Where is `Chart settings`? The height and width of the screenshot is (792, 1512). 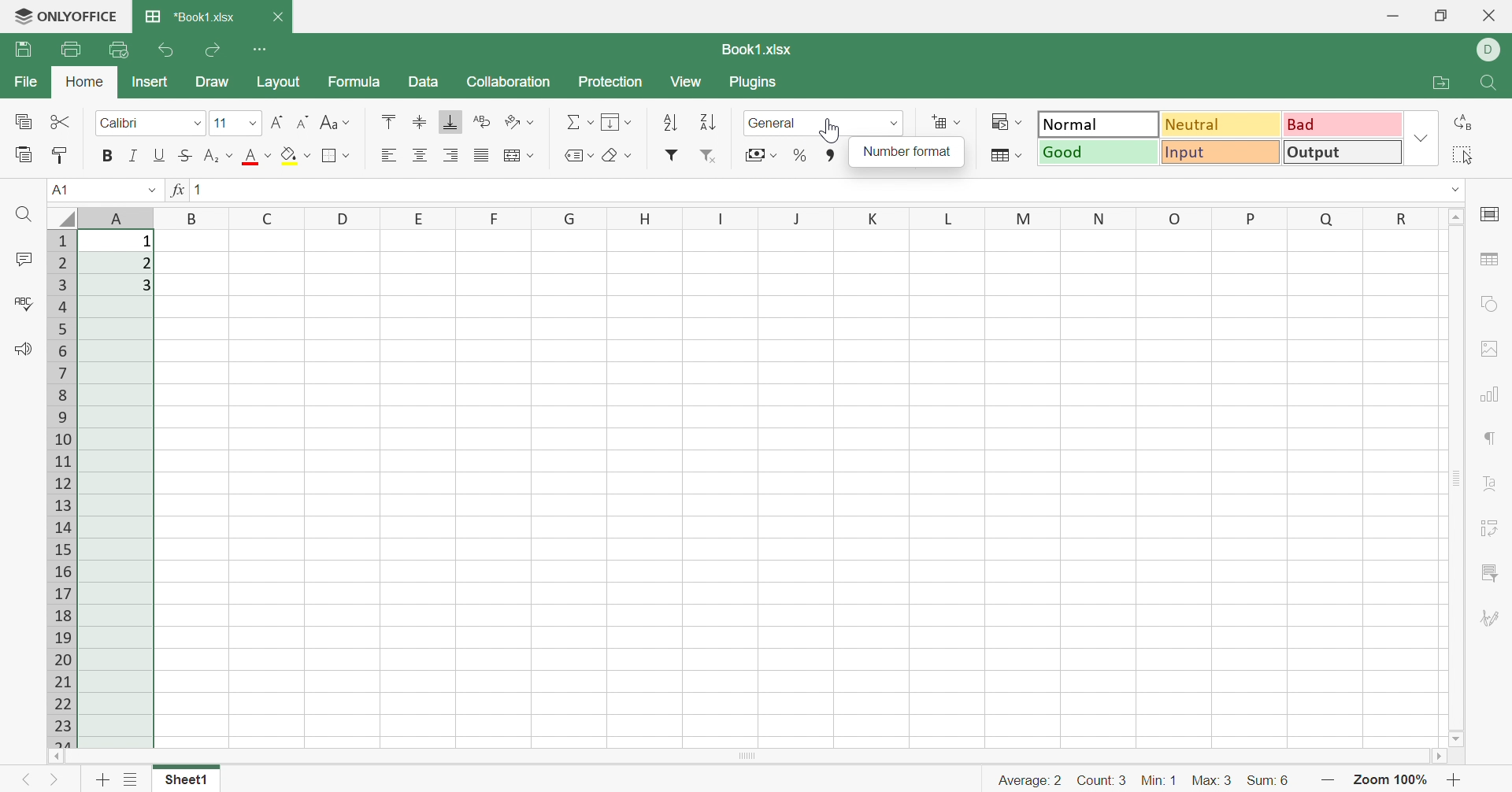 Chart settings is located at coordinates (1495, 395).